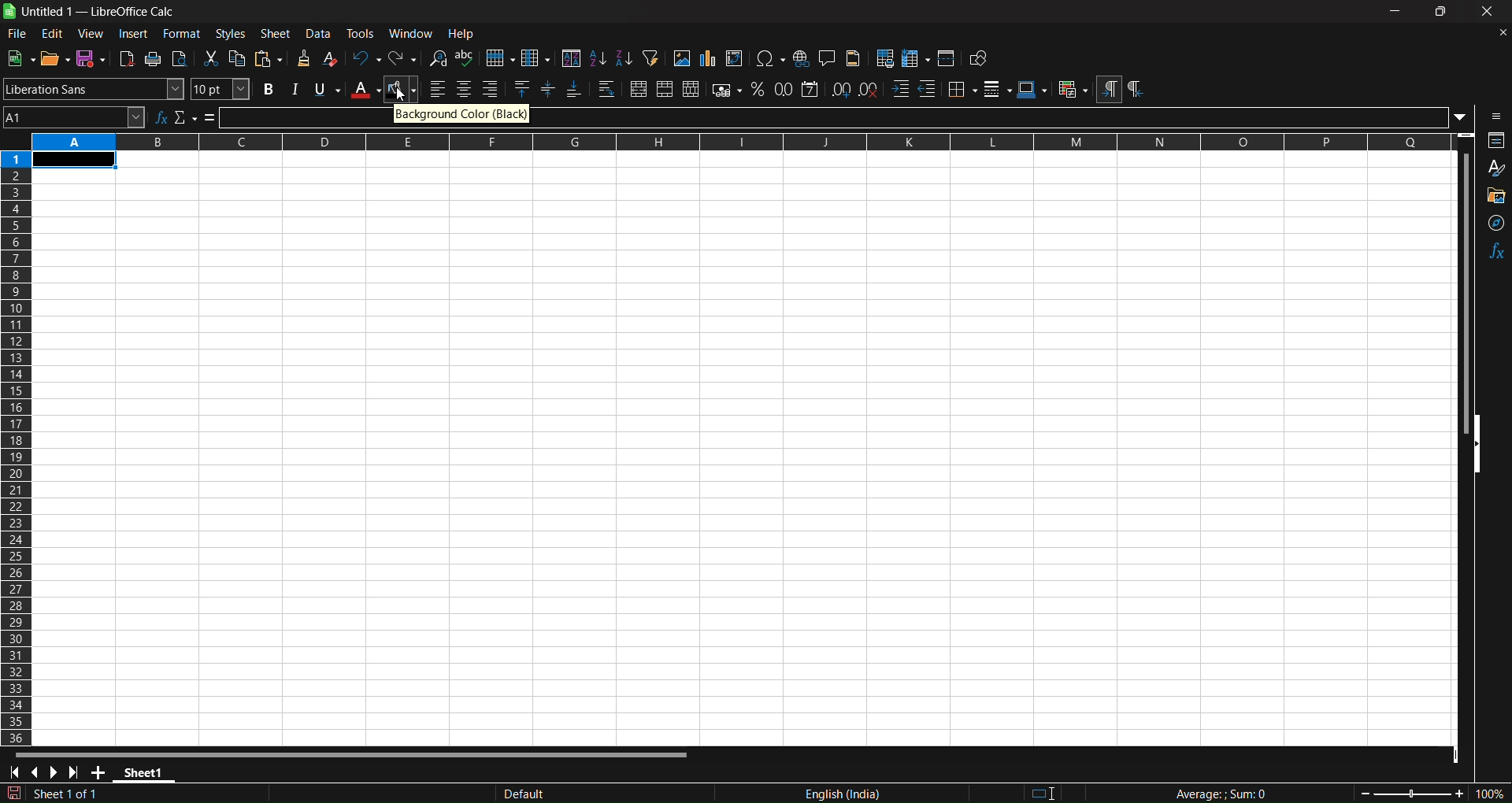 The height and width of the screenshot is (803, 1512). I want to click on conditional, so click(1073, 88).